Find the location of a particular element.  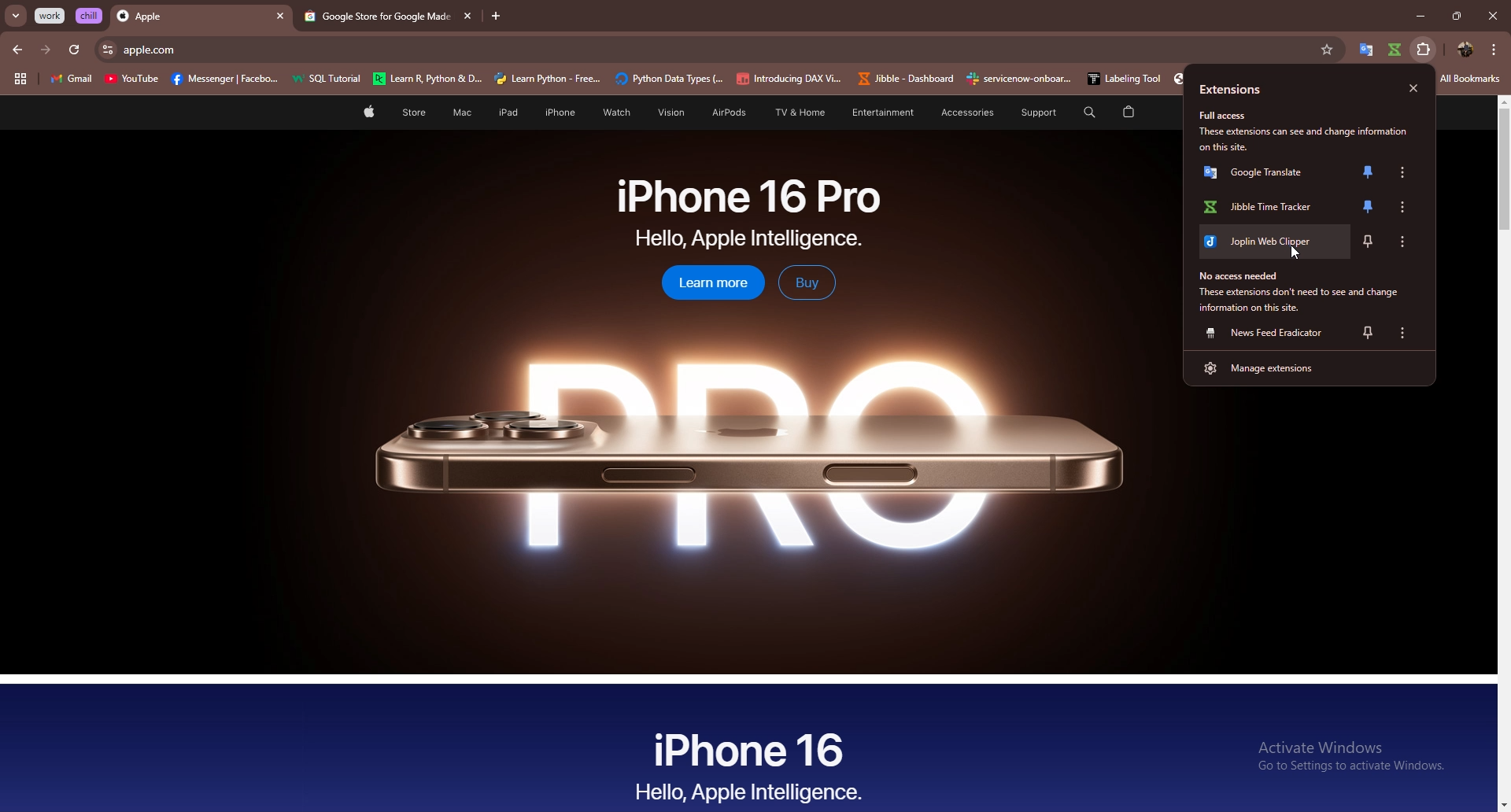

cursor is located at coordinates (1297, 253).